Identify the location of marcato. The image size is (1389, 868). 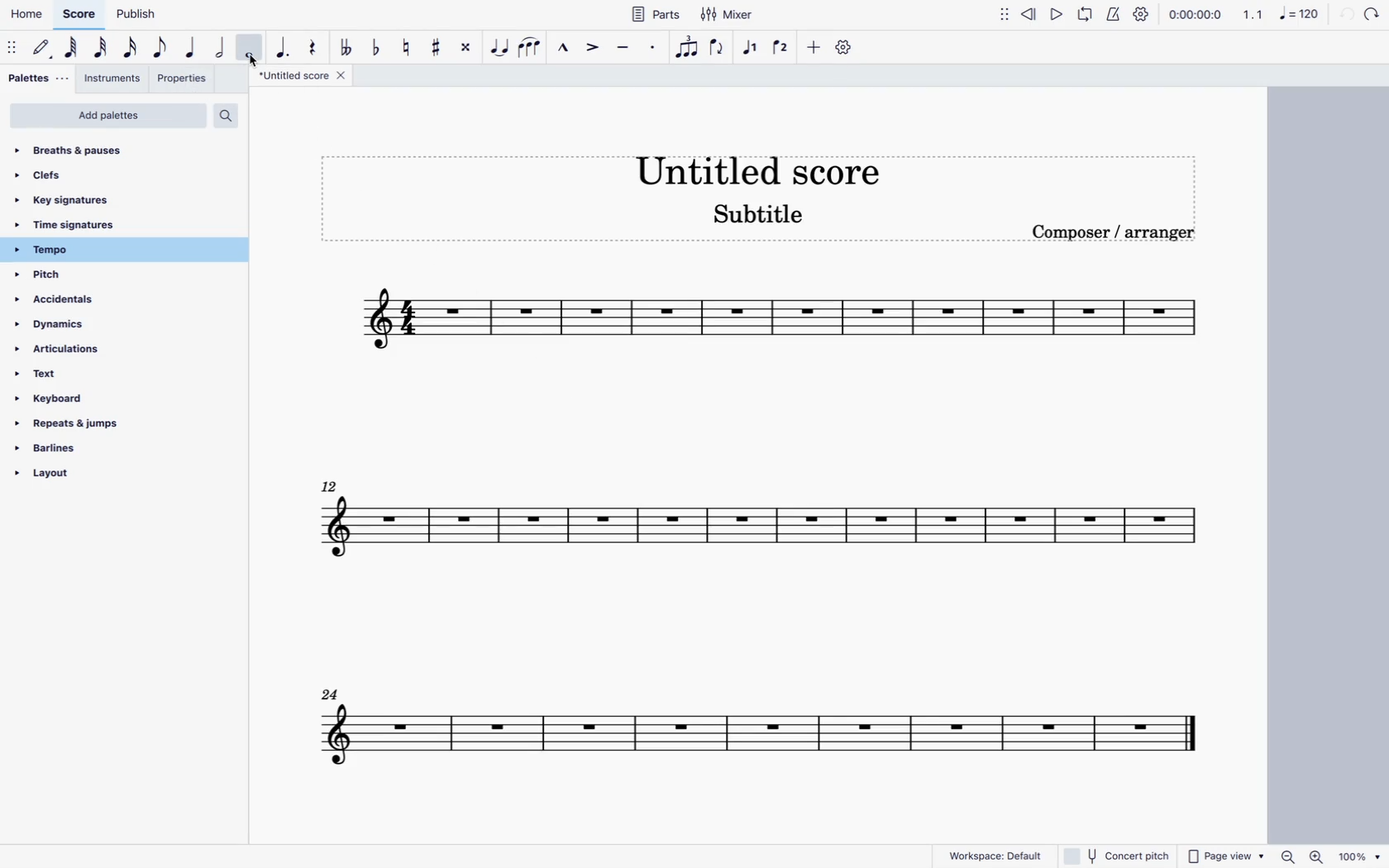
(563, 49).